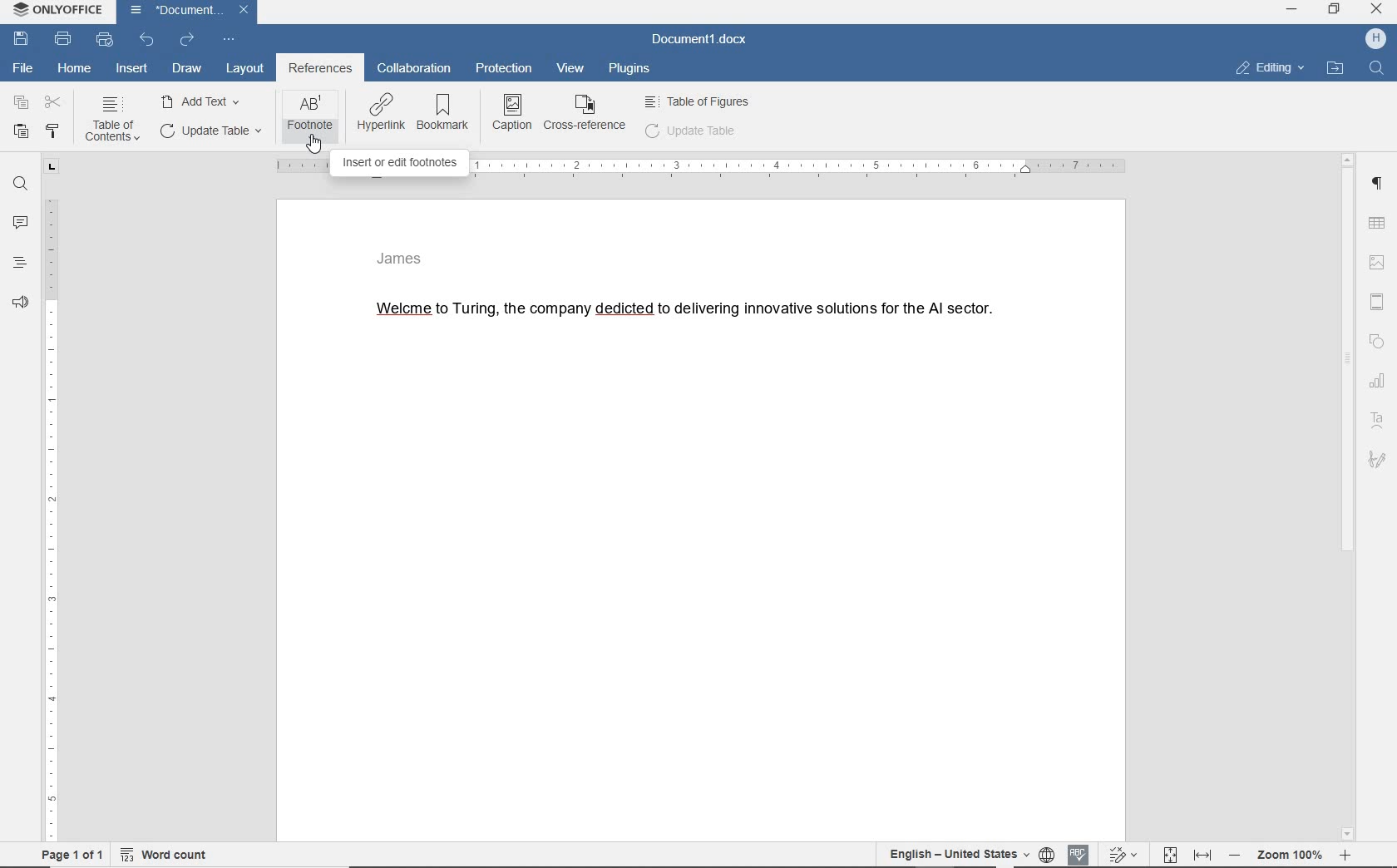 The width and height of the screenshot is (1397, 868). I want to click on body text, so click(676, 313).